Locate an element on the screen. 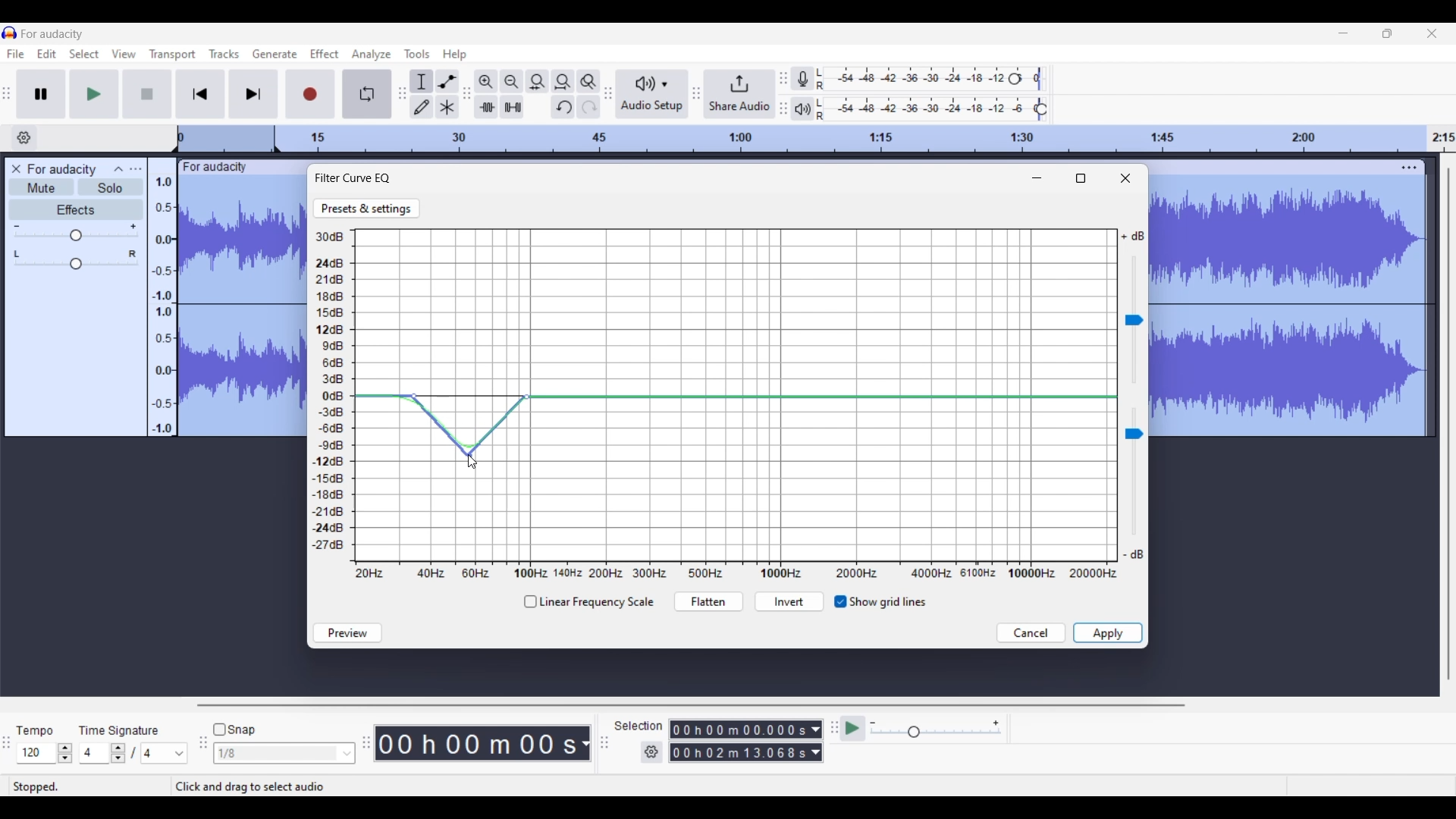 The height and width of the screenshot is (819, 1456). Filter curve EQ is located at coordinates (354, 177).